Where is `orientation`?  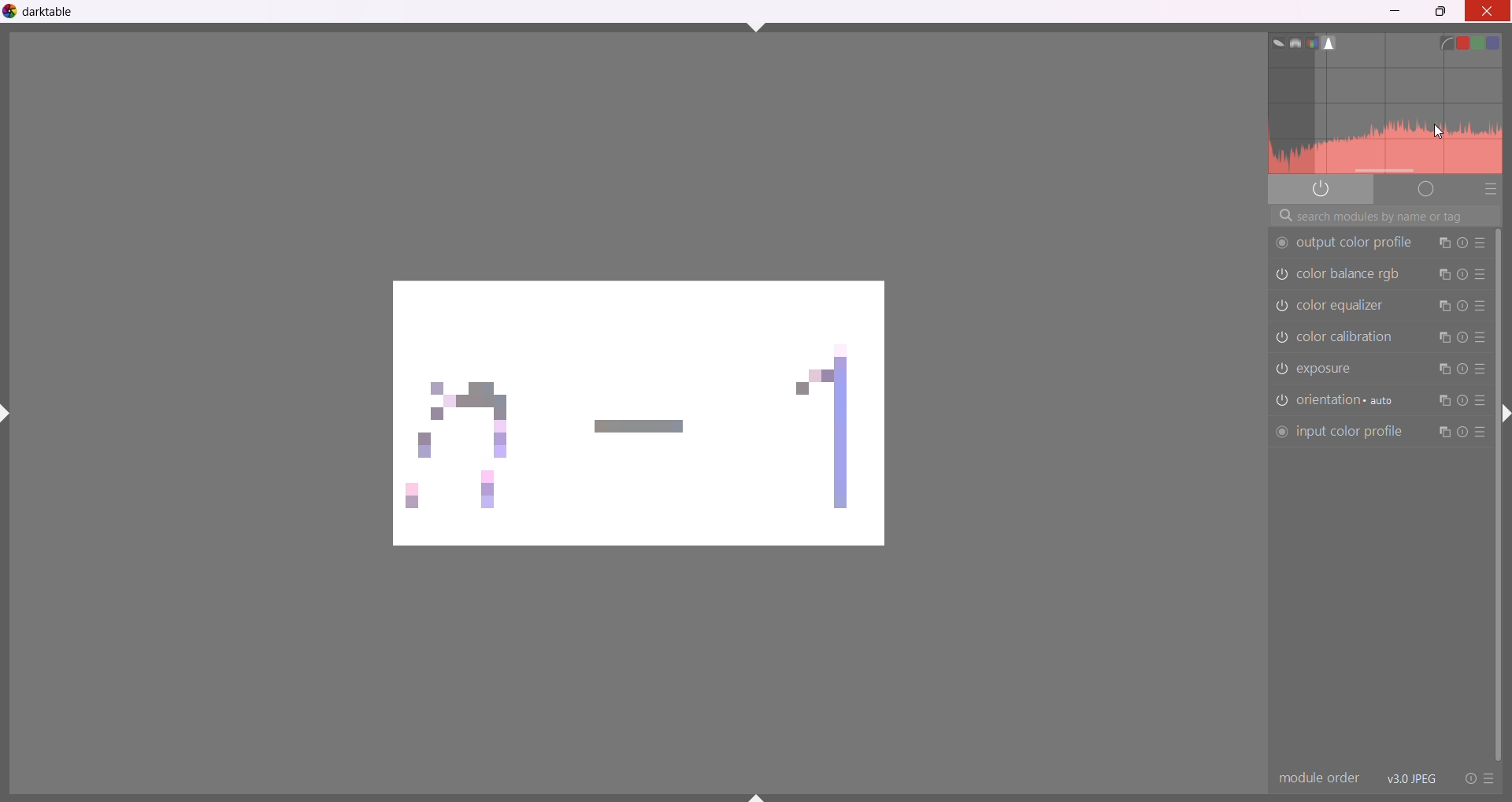
orientation is located at coordinates (1350, 400).